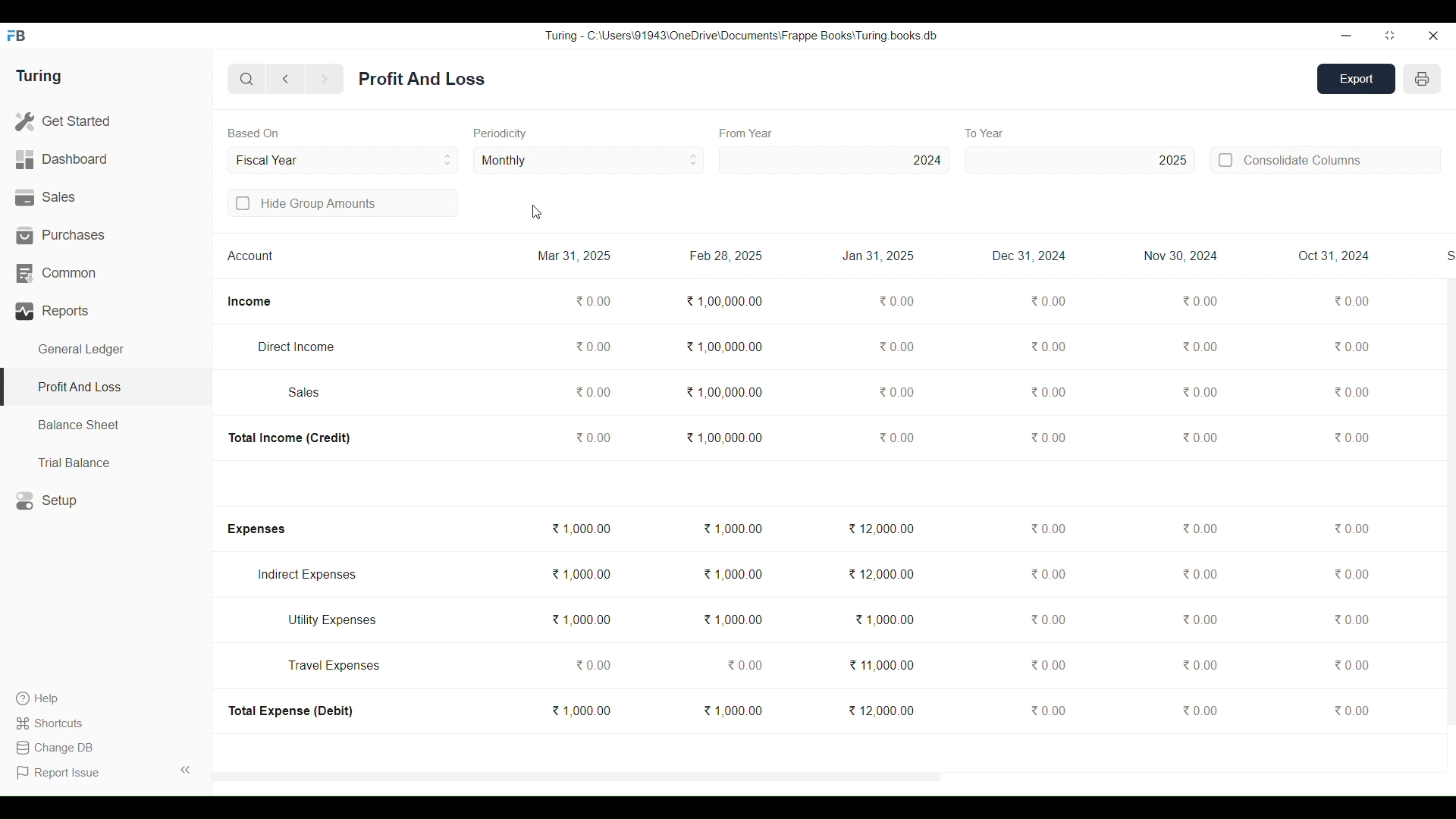 The width and height of the screenshot is (1456, 819). I want to click on 0.00, so click(1351, 301).